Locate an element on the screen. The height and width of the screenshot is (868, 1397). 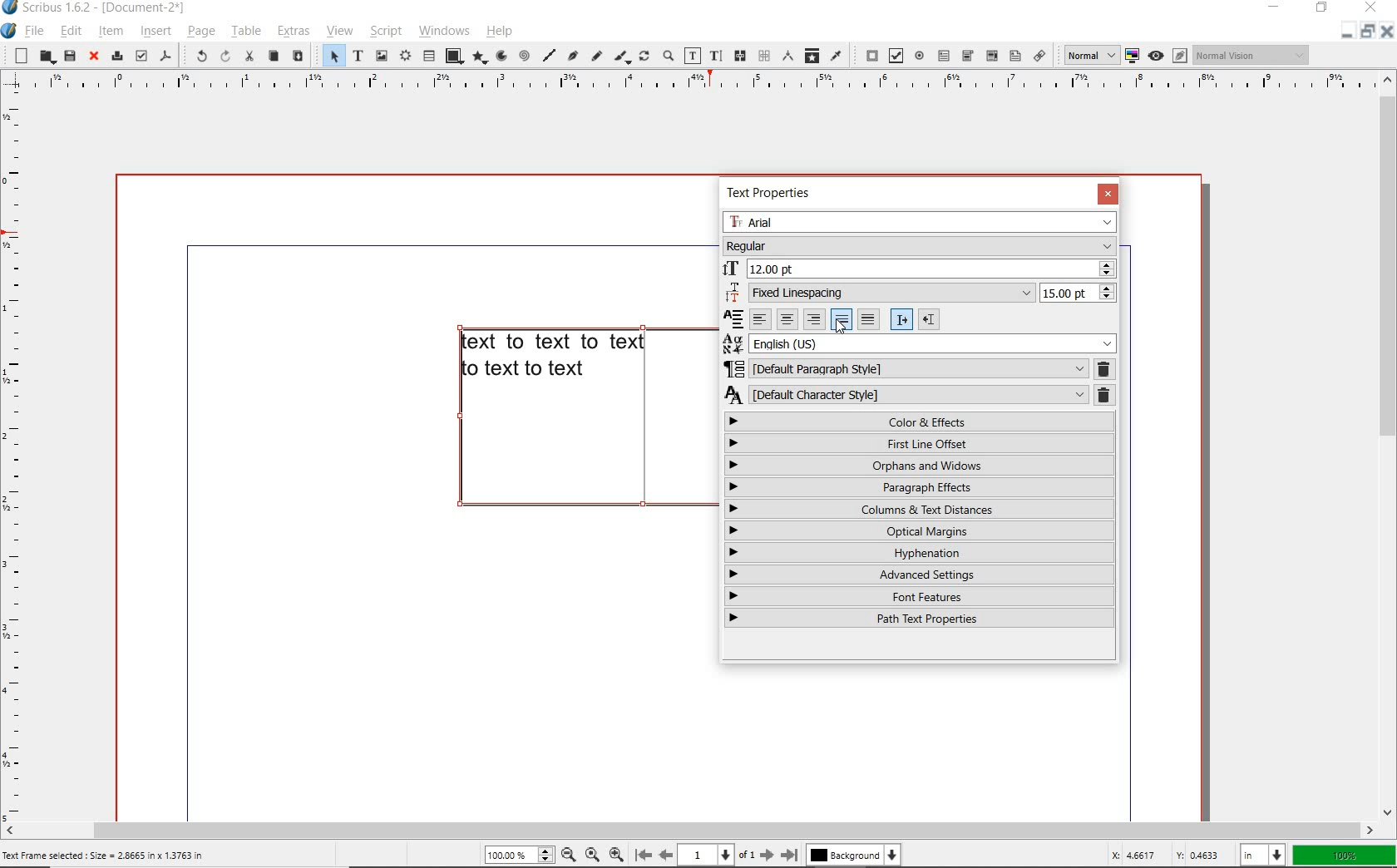
insert is located at coordinates (155, 31).